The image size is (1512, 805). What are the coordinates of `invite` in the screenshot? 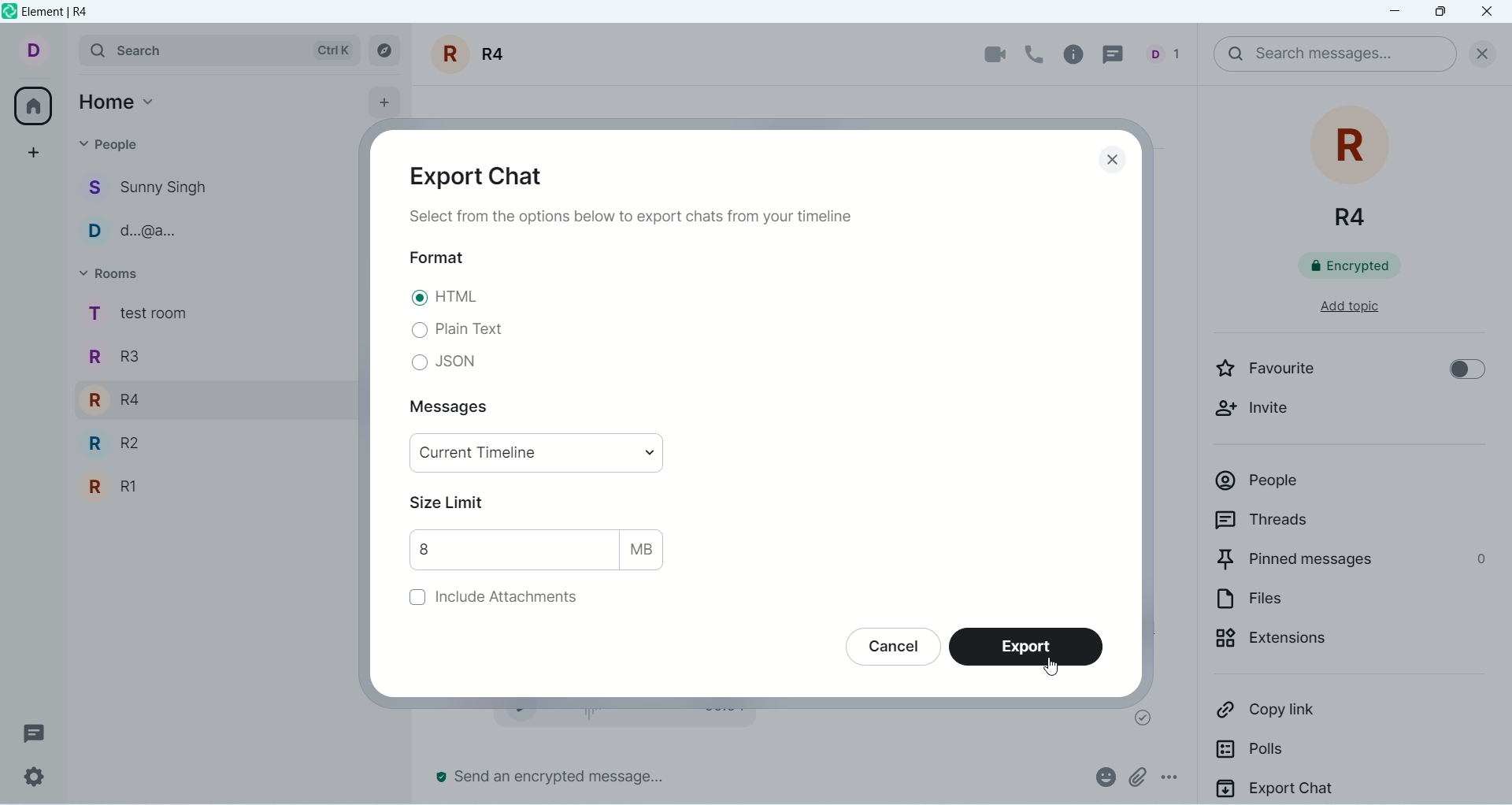 It's located at (1265, 412).